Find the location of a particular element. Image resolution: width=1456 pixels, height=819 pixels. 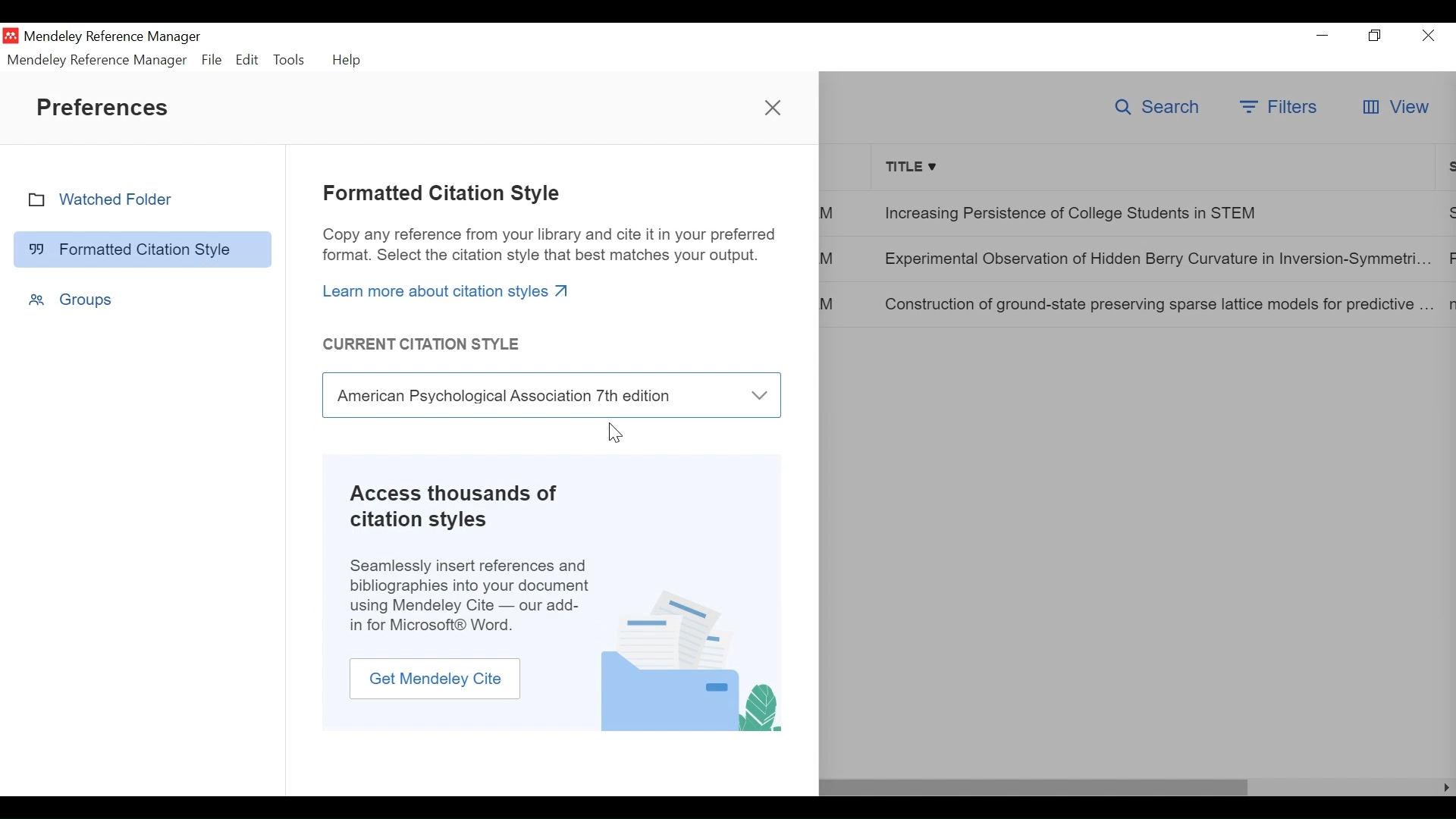

Increasing Persistence of College Students in STEM is located at coordinates (1153, 212).